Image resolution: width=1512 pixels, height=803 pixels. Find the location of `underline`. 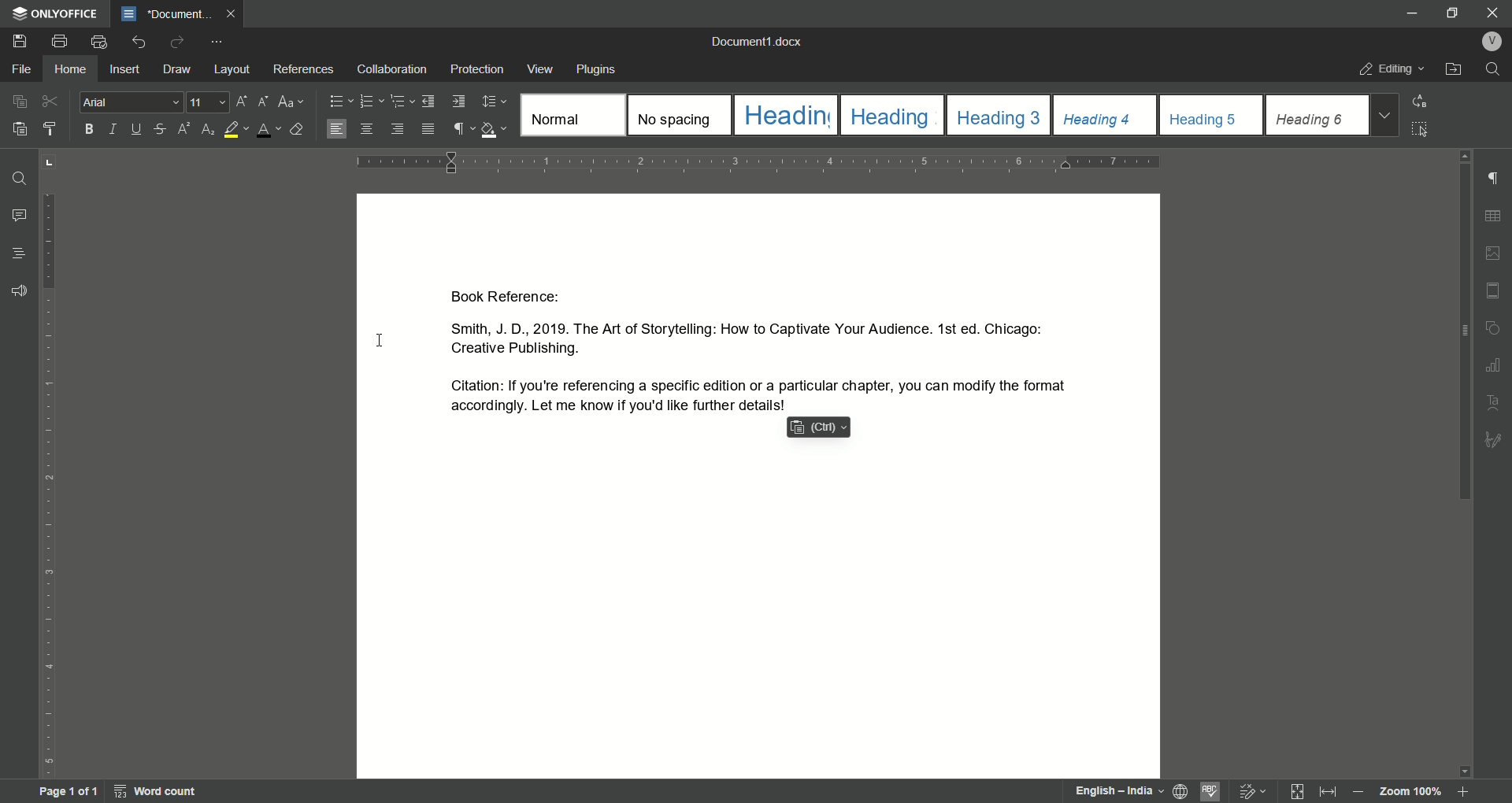

underline is located at coordinates (138, 130).